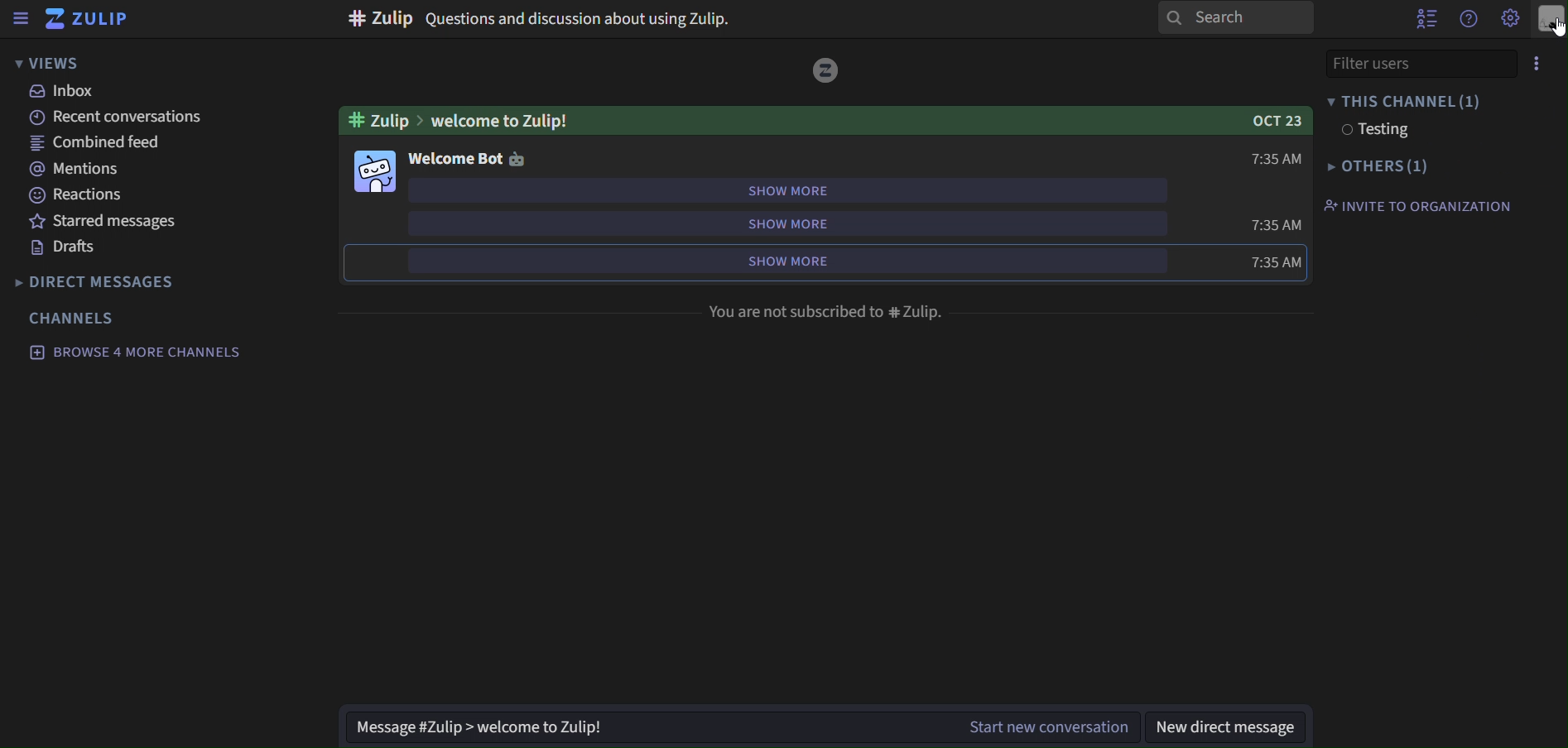  I want to click on #Zulip> welcome to Zulip!, so click(462, 119).